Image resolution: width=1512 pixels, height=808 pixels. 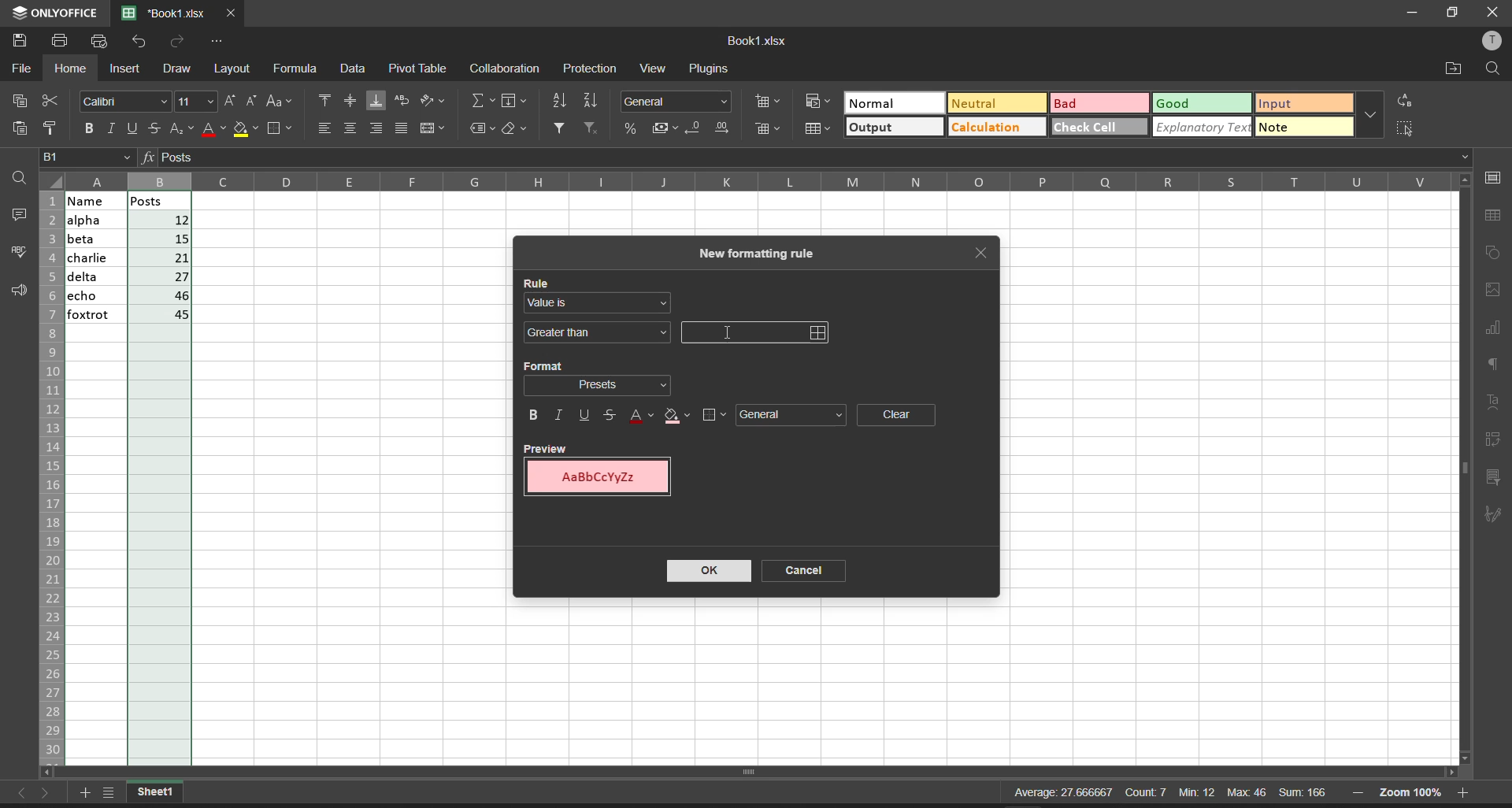 I want to click on delete cells, so click(x=770, y=129).